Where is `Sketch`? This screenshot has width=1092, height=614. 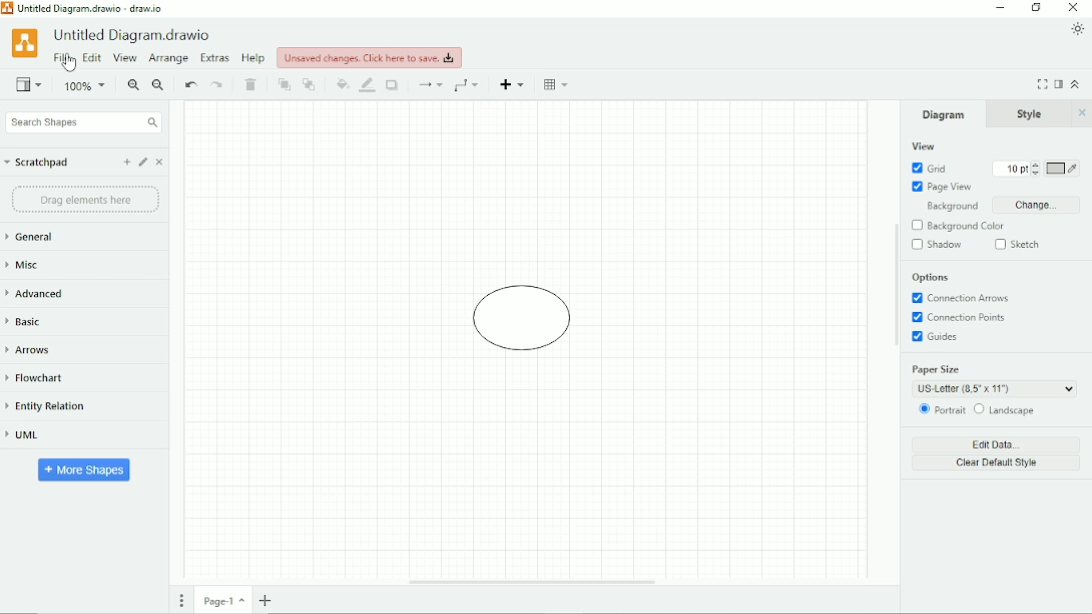
Sketch is located at coordinates (1021, 245).